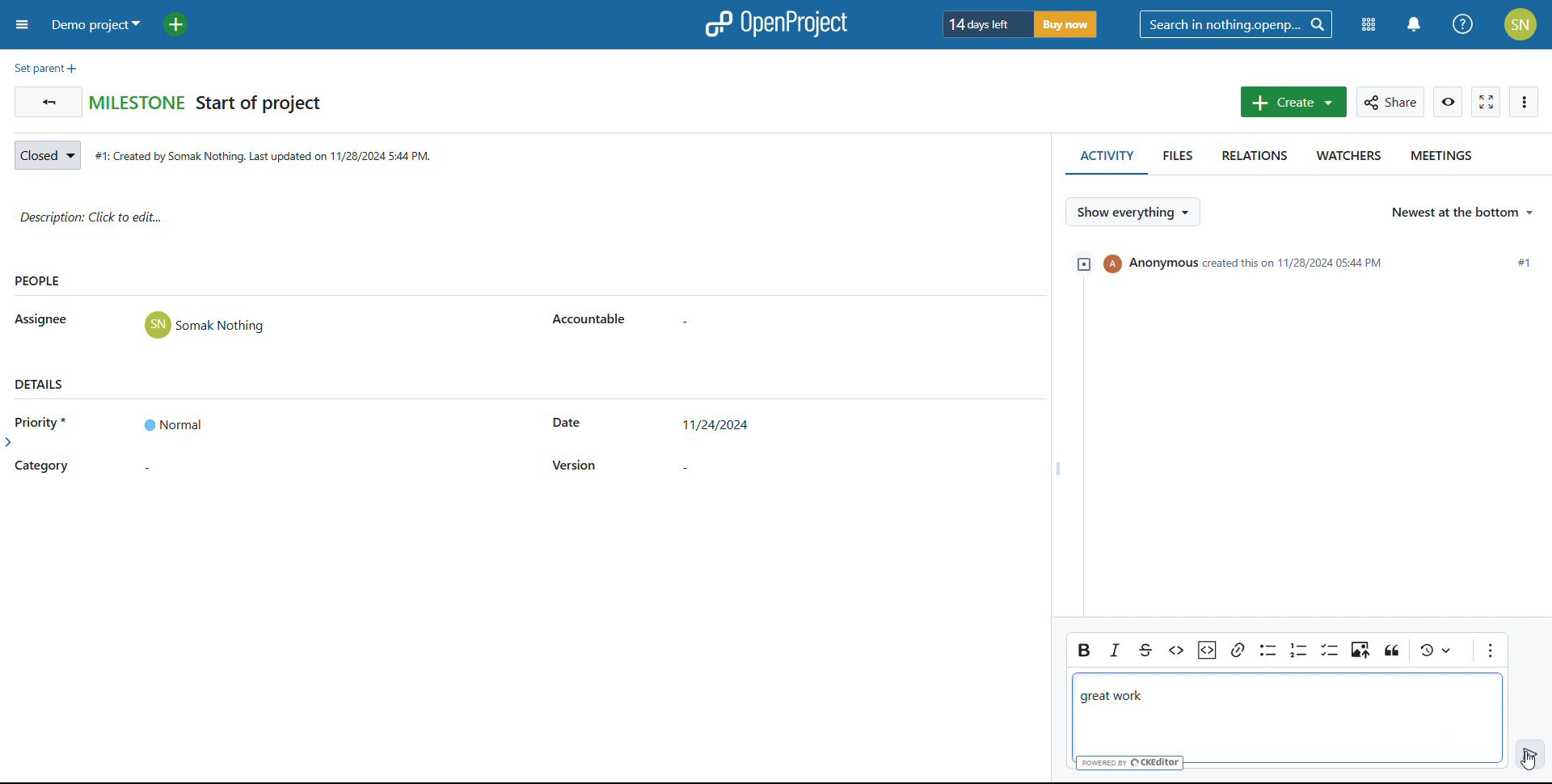 The image size is (1552, 784). What do you see at coordinates (39, 282) in the screenshot?
I see `people` at bounding box center [39, 282].